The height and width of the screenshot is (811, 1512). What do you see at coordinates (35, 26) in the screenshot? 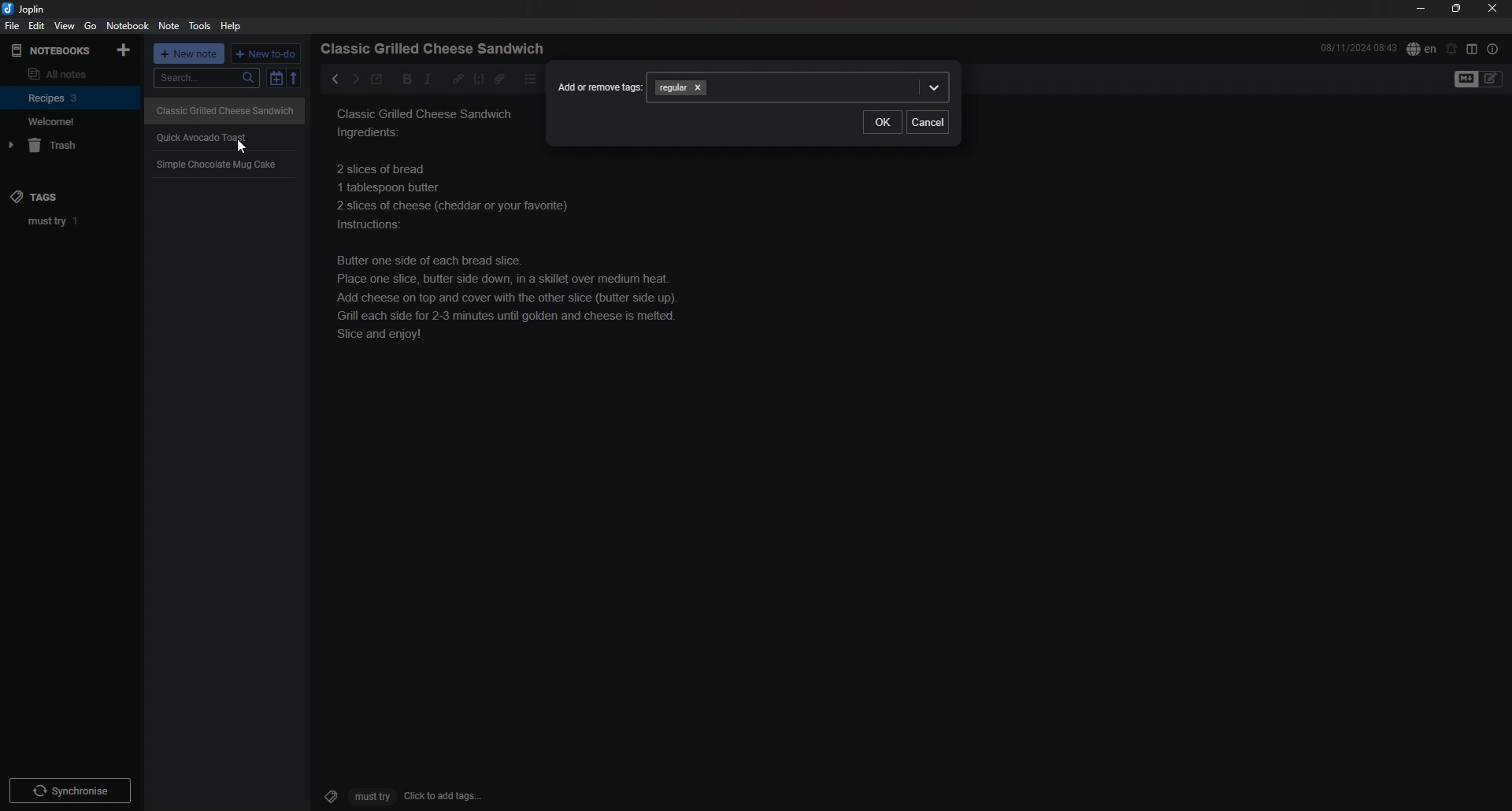
I see `edit` at bounding box center [35, 26].